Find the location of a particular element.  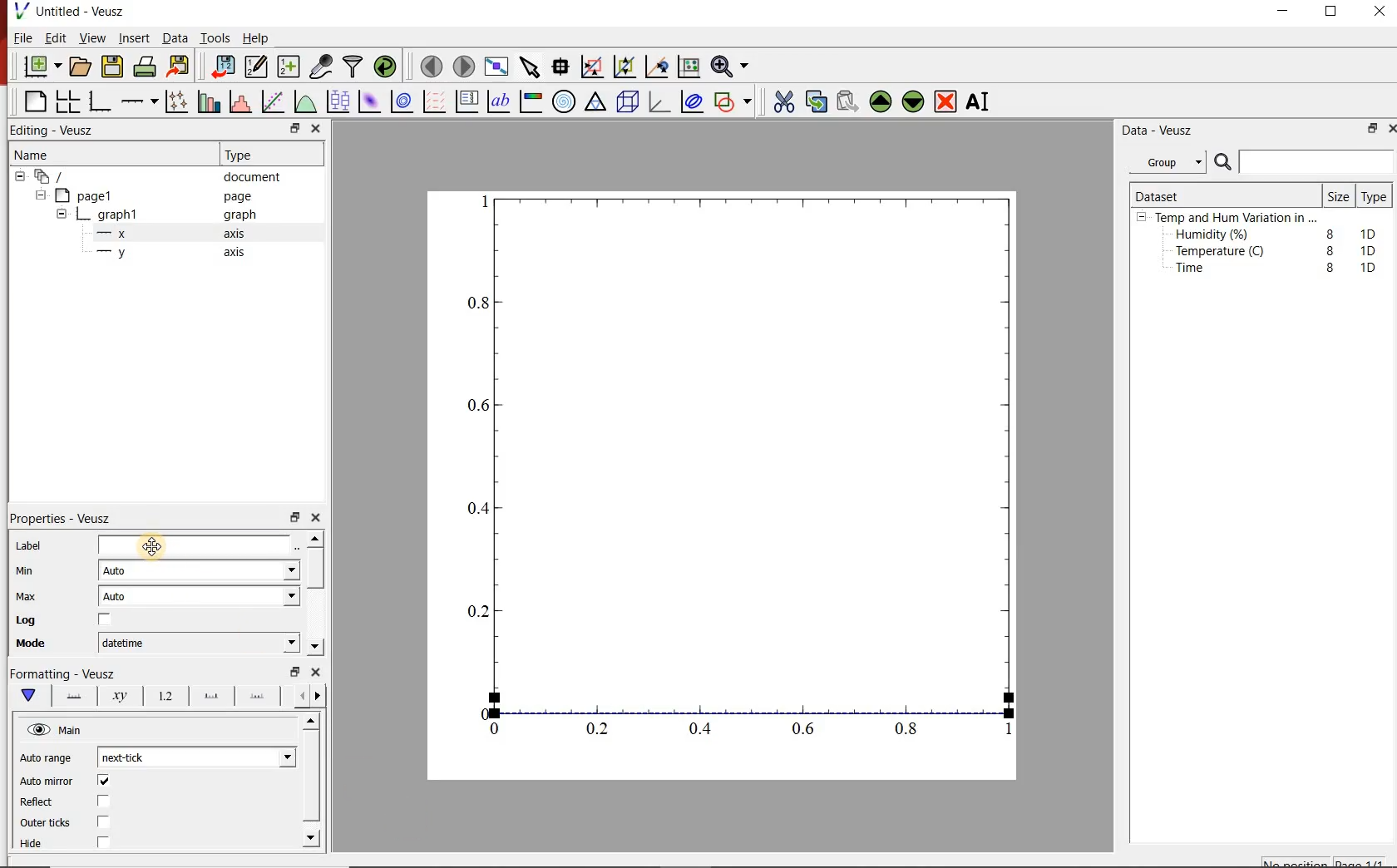

Hide is located at coordinates (86, 842).